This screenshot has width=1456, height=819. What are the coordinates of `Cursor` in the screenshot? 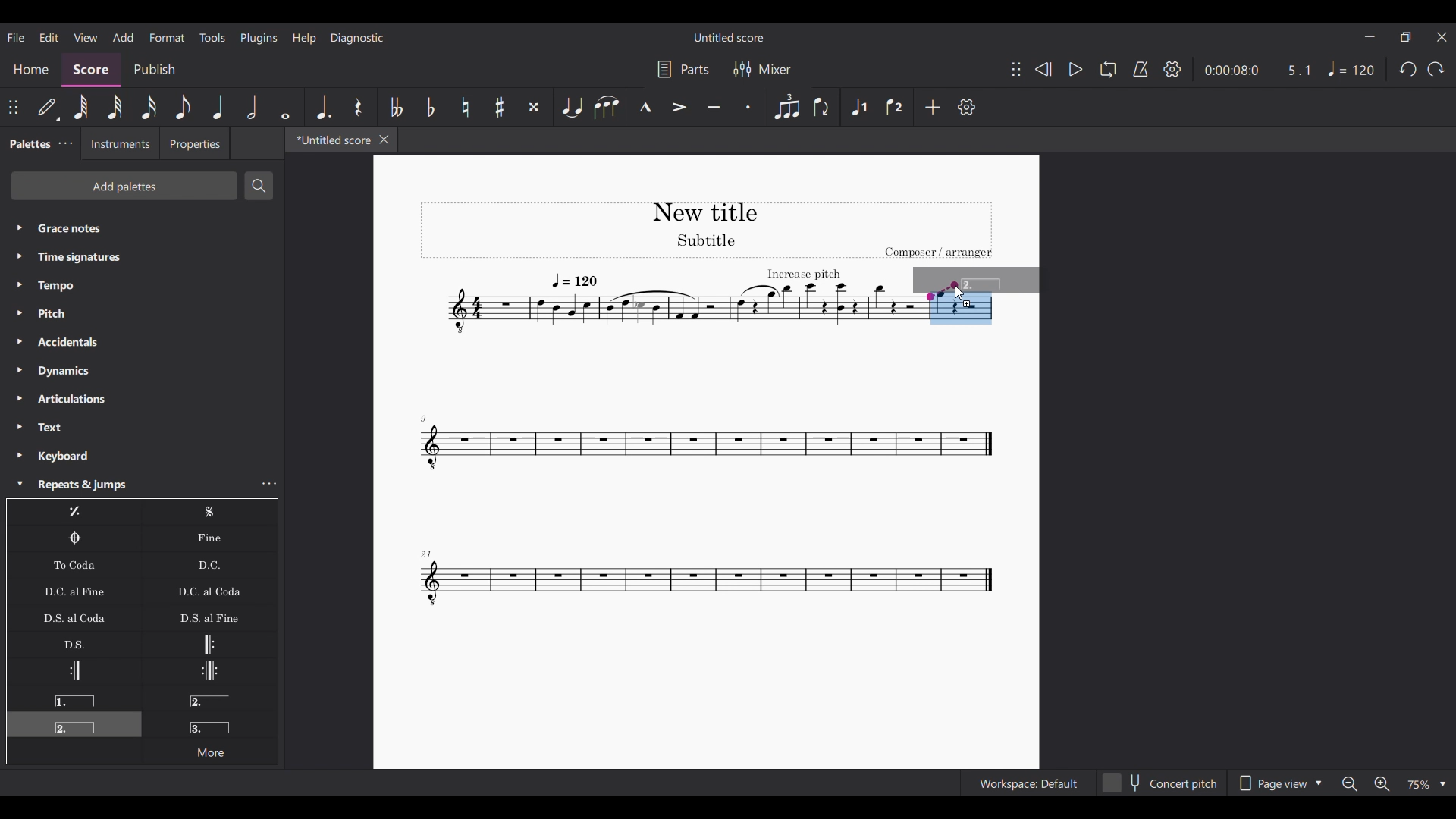 It's located at (960, 292).